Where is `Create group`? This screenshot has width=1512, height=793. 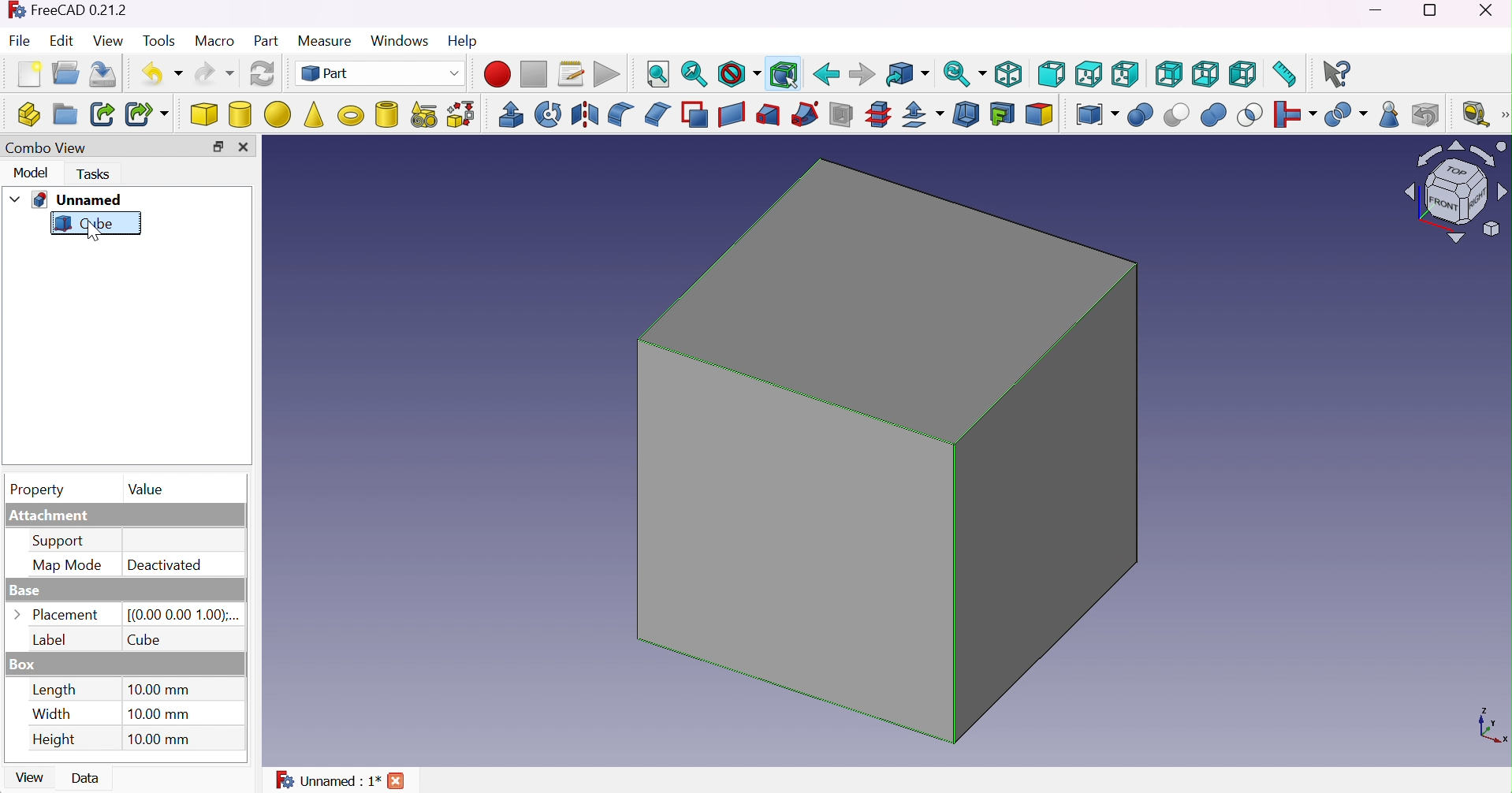 Create group is located at coordinates (67, 112).